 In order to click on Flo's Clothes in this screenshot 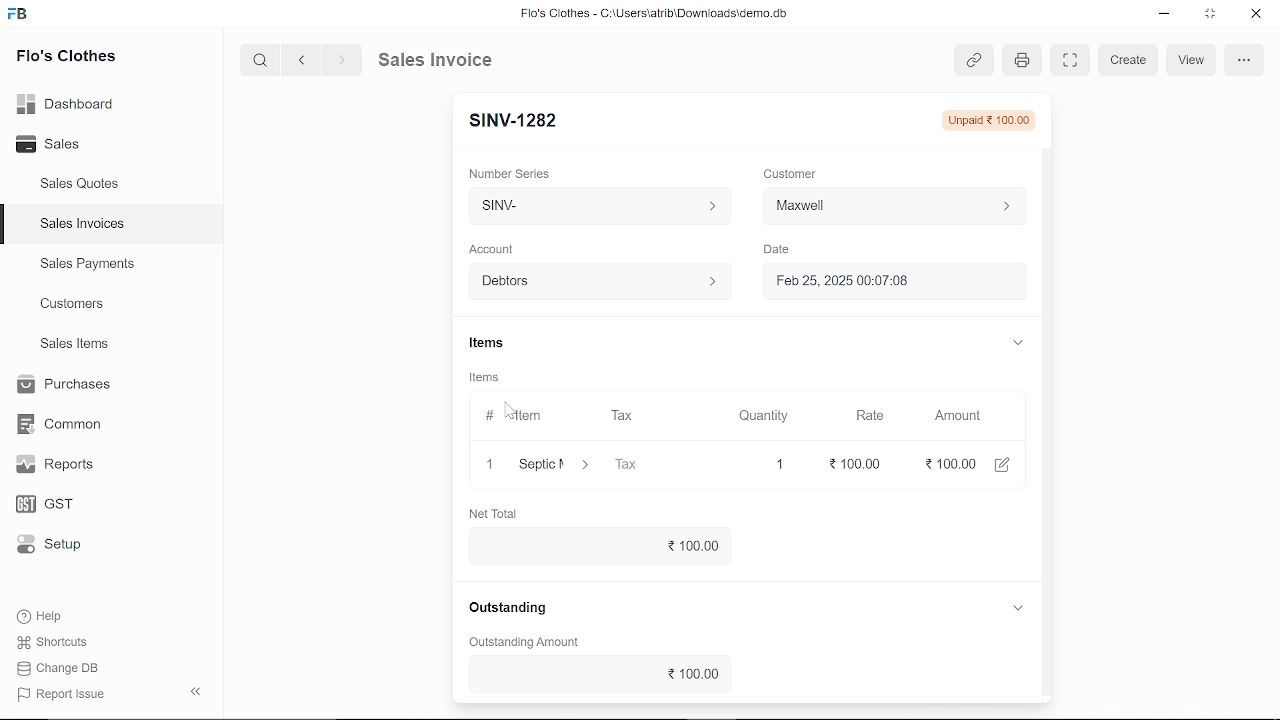, I will do `click(64, 59)`.